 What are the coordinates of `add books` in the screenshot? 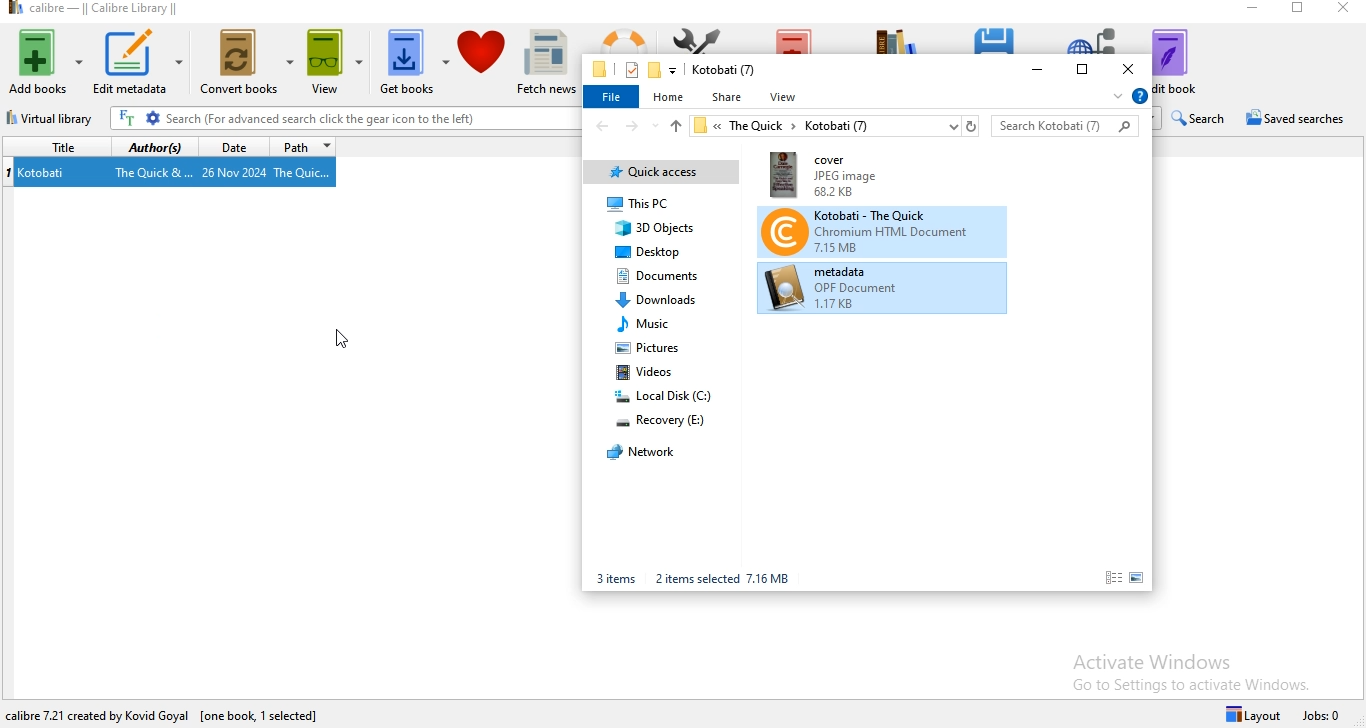 It's located at (46, 61).